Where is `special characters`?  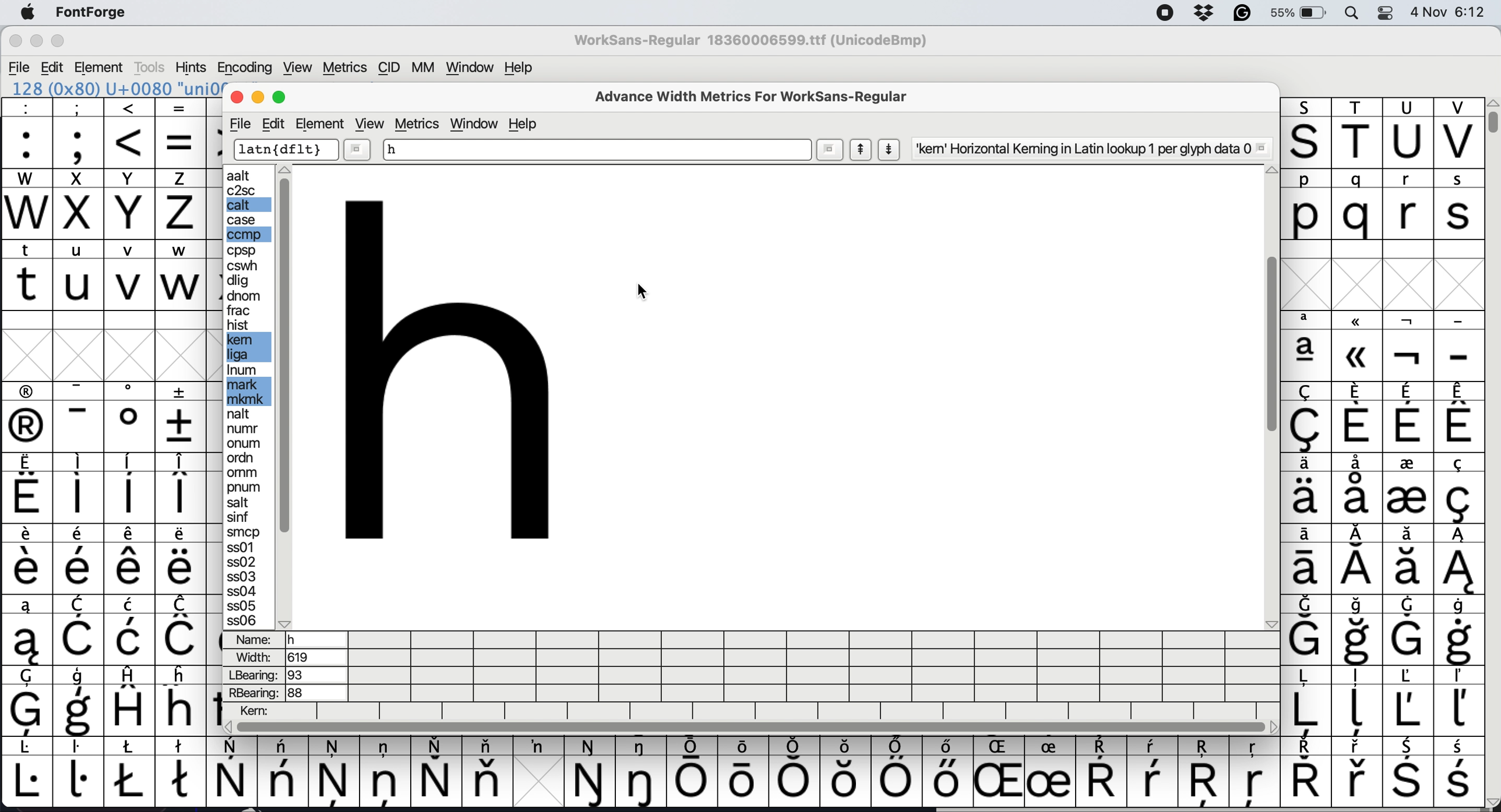
special characters is located at coordinates (103, 532).